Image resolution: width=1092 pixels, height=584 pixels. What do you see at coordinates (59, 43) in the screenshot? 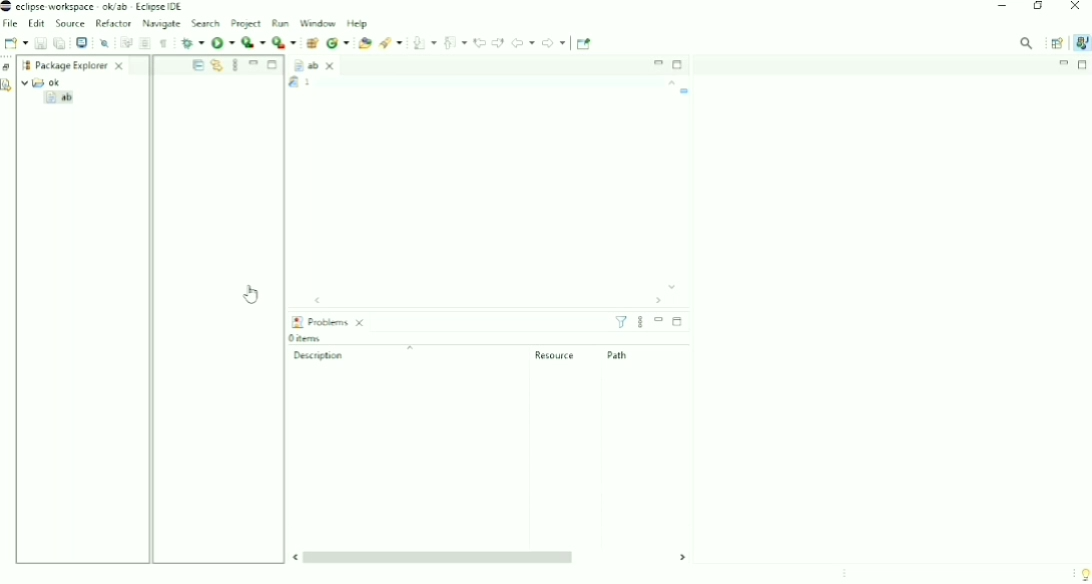
I see `Save All` at bounding box center [59, 43].